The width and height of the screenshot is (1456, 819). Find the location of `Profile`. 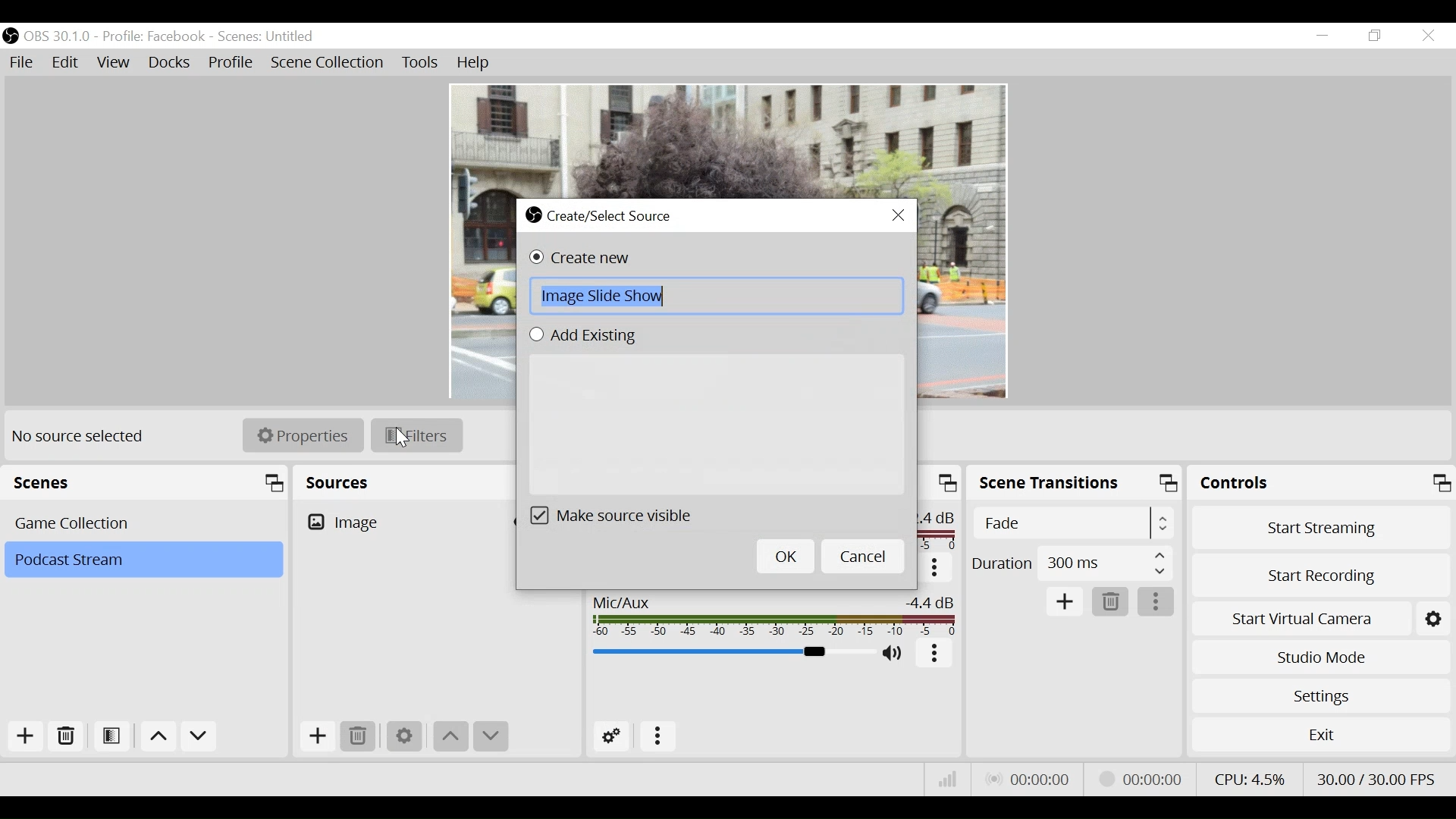

Profile is located at coordinates (231, 64).